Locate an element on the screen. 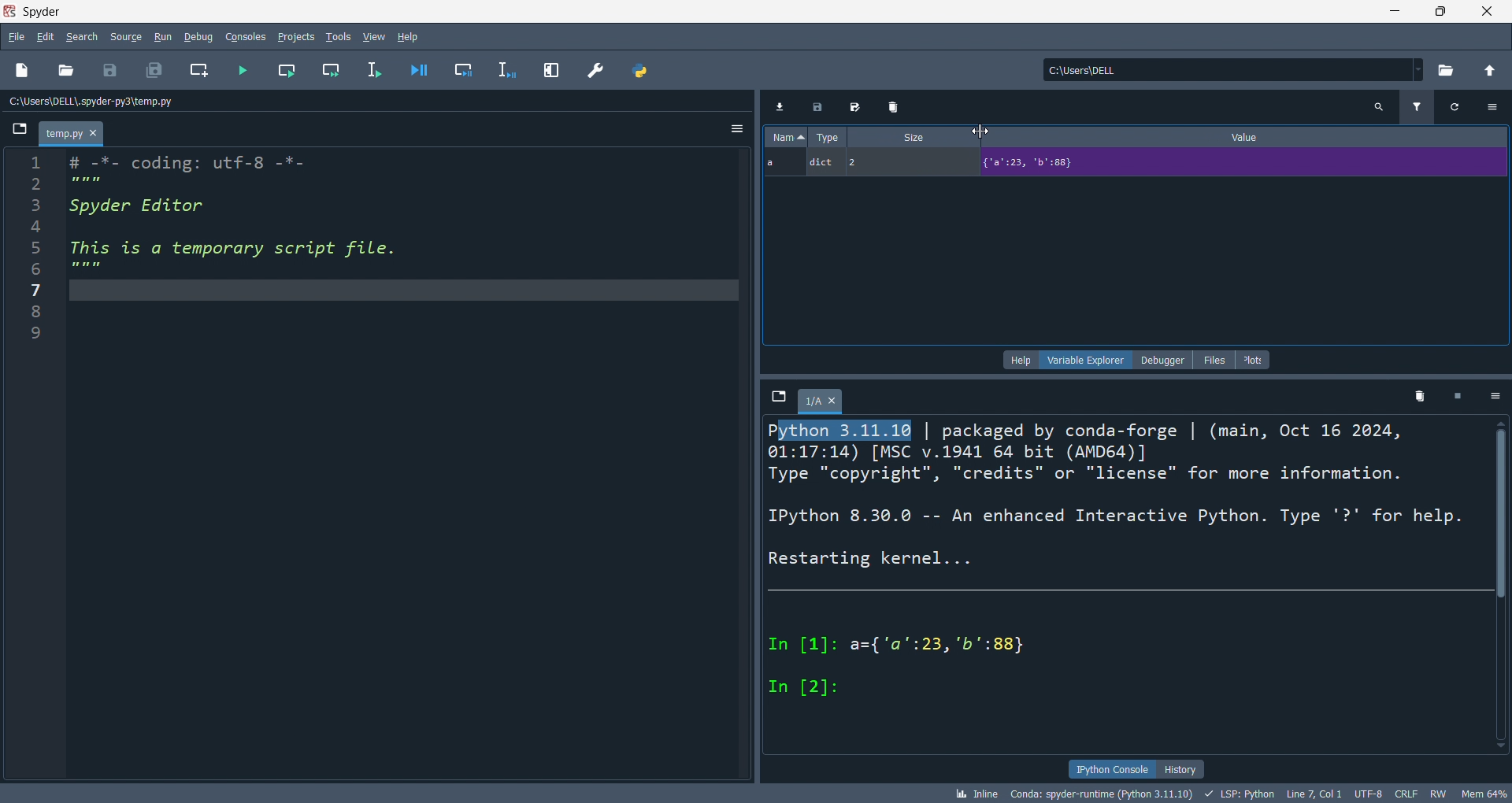  data is located at coordinates (1139, 165).